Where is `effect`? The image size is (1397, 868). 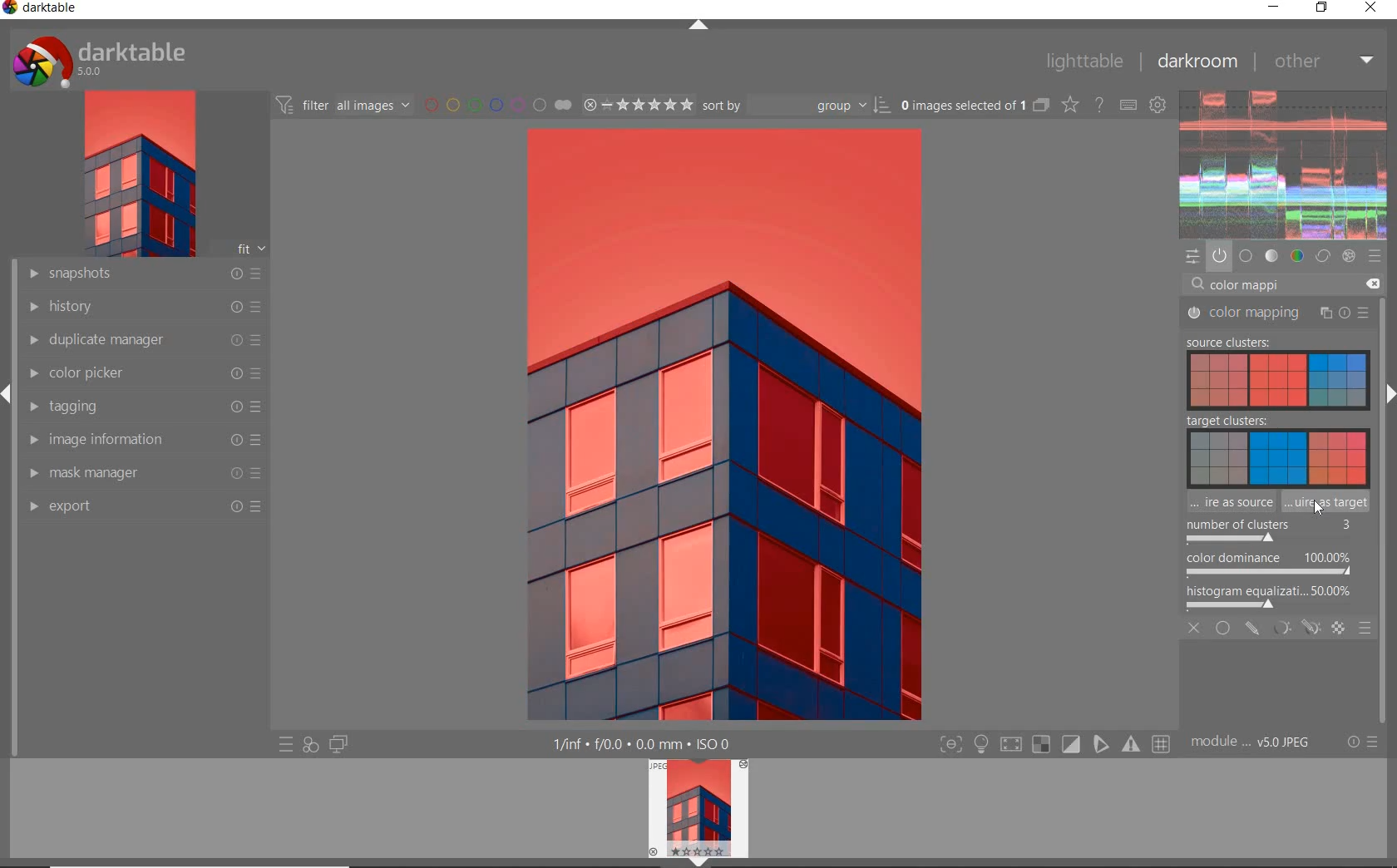
effect is located at coordinates (1348, 257).